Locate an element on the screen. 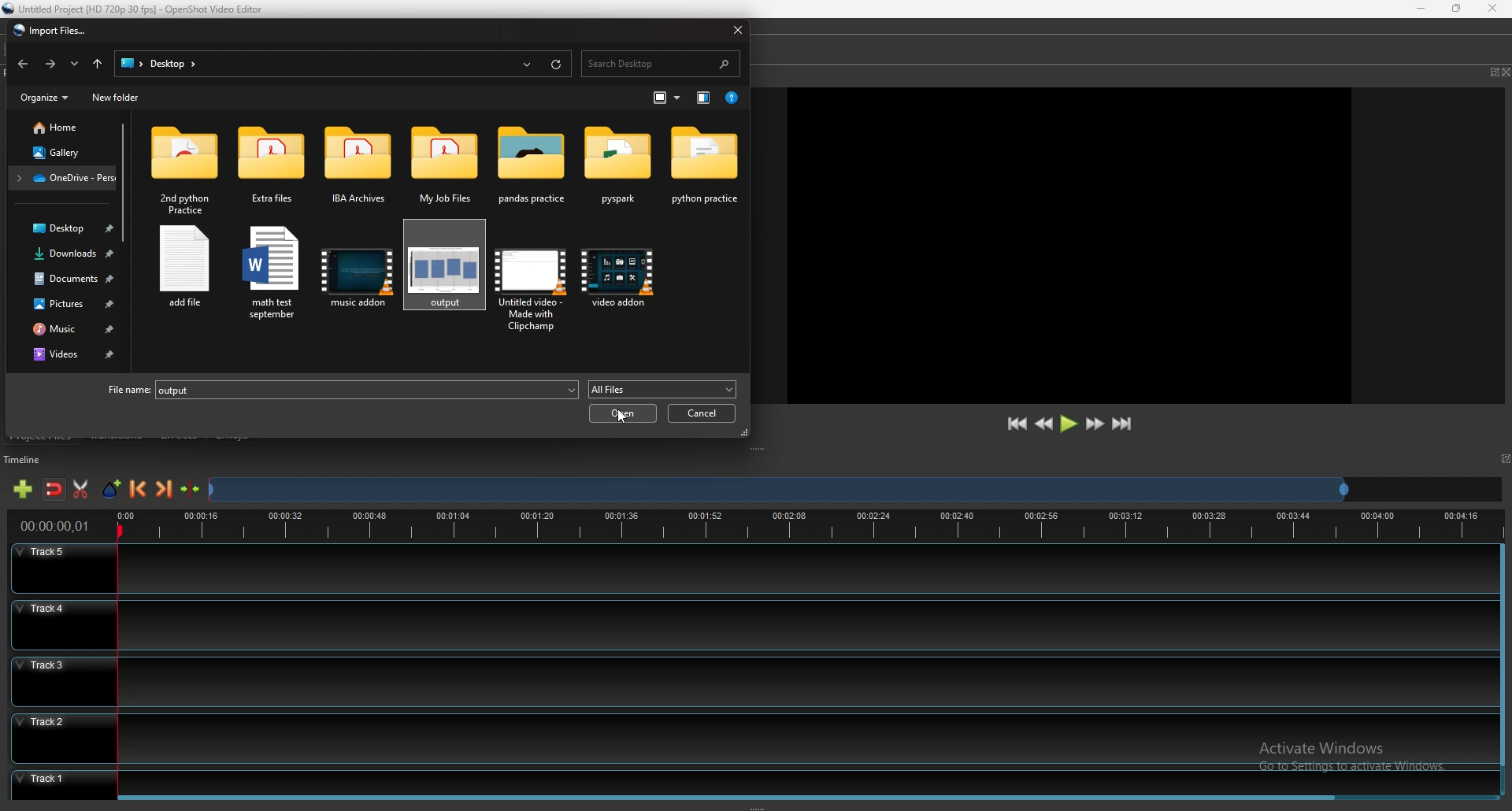 This screenshot has width=1512, height=811. minimize is located at coordinates (1423, 9).